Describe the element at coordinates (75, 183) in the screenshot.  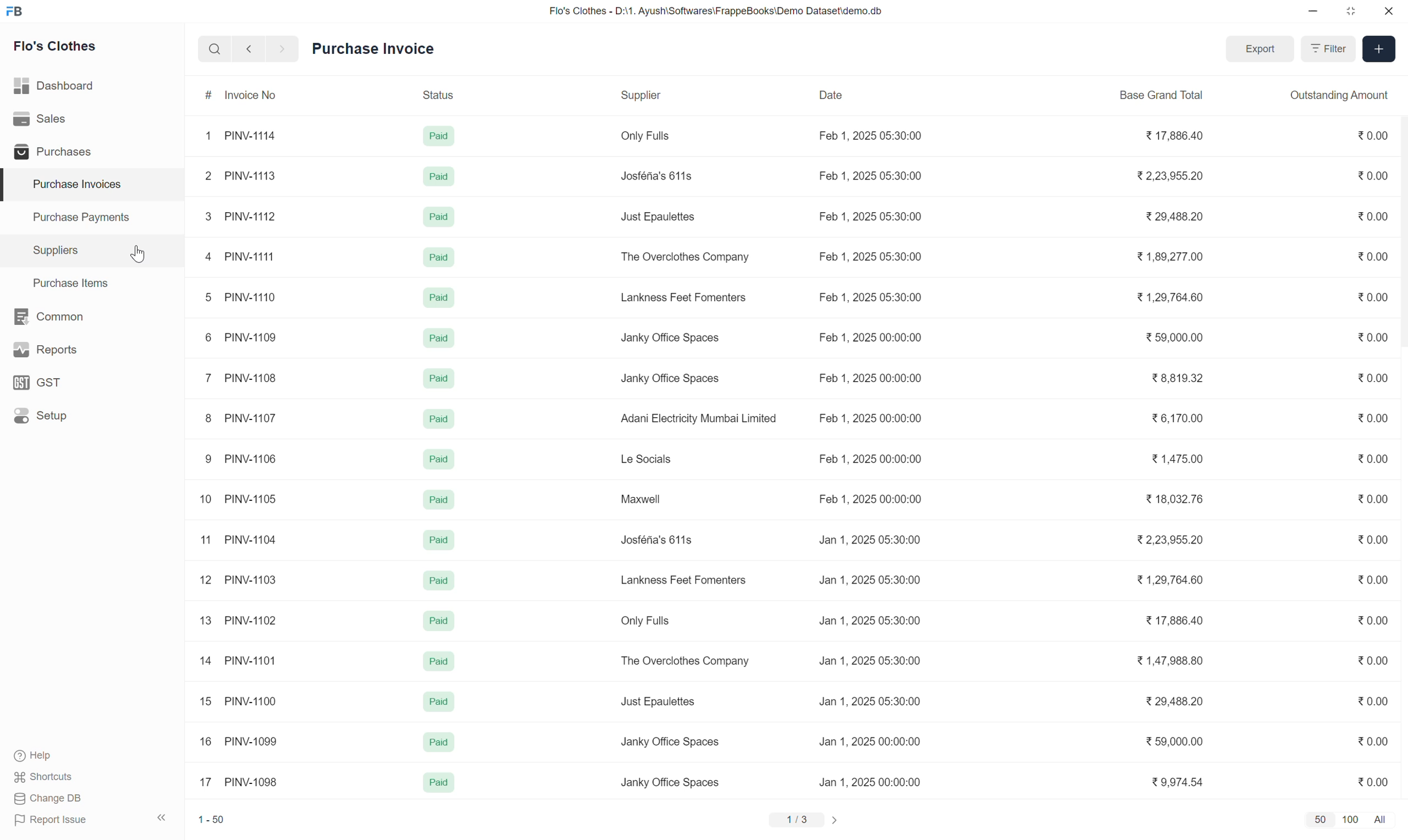
I see `Purchase invoices` at that location.